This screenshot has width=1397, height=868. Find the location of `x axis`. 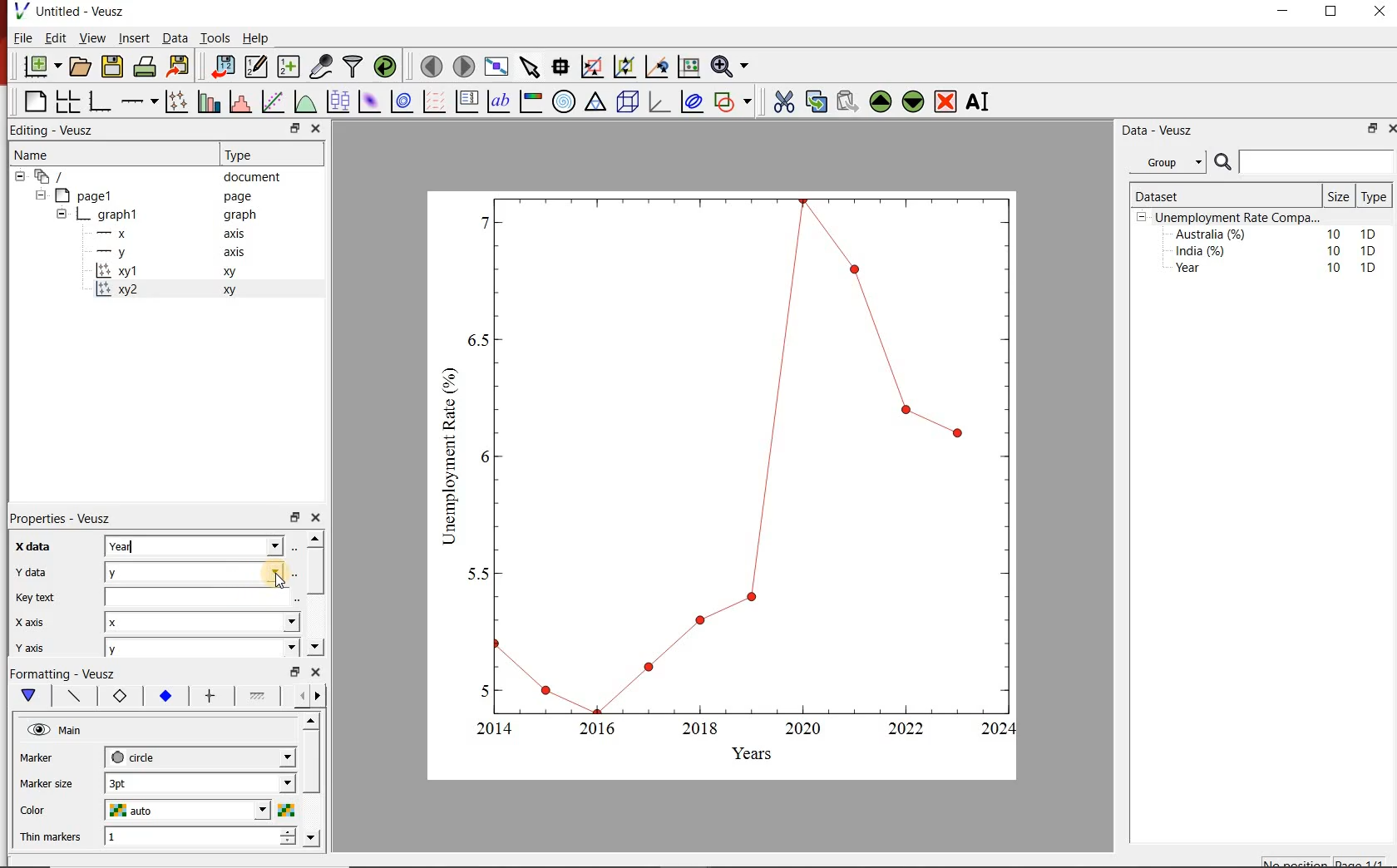

x axis is located at coordinates (31, 622).